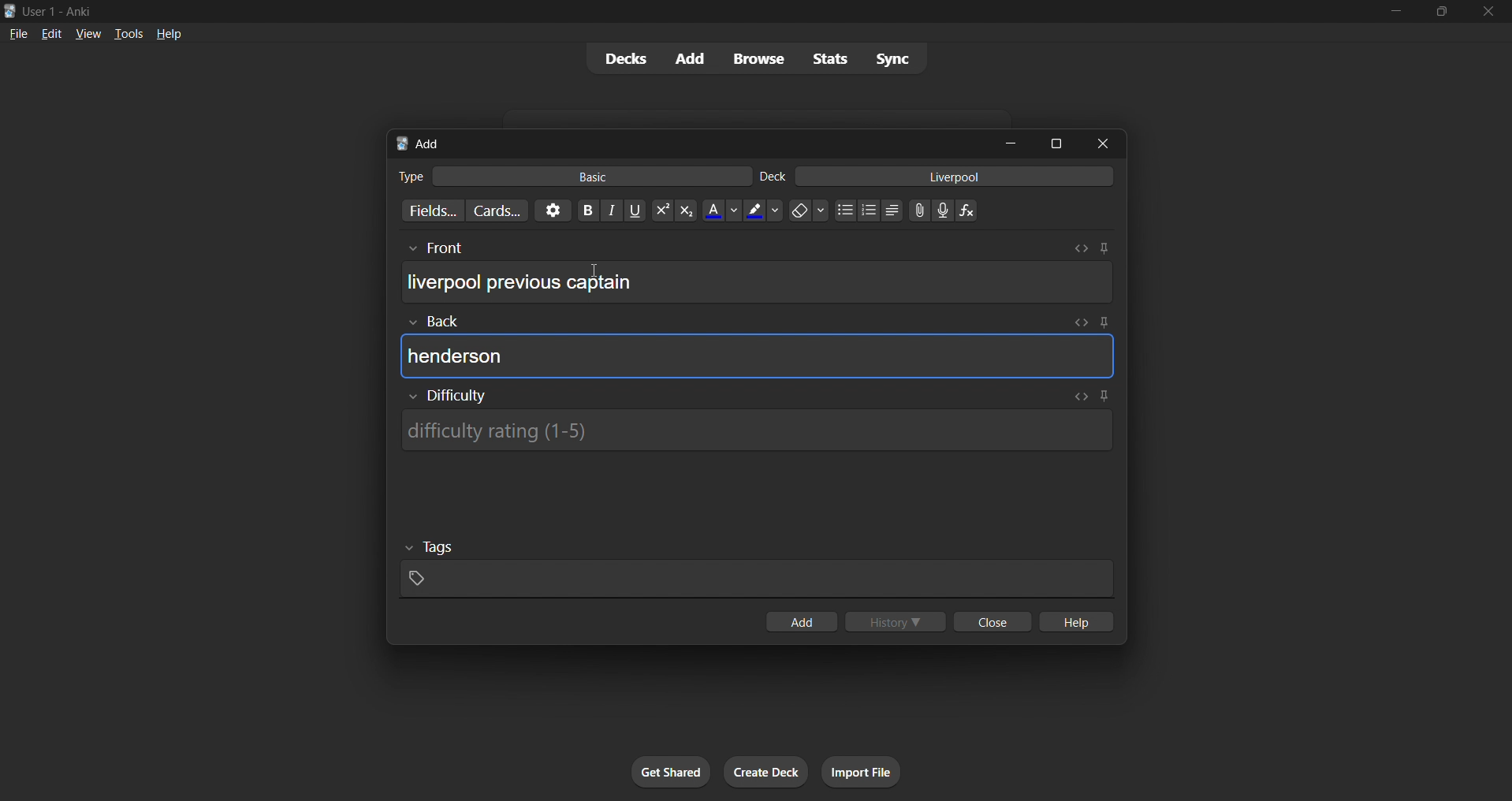 Image resolution: width=1512 pixels, height=801 pixels. I want to click on card deck input box, so click(940, 179).